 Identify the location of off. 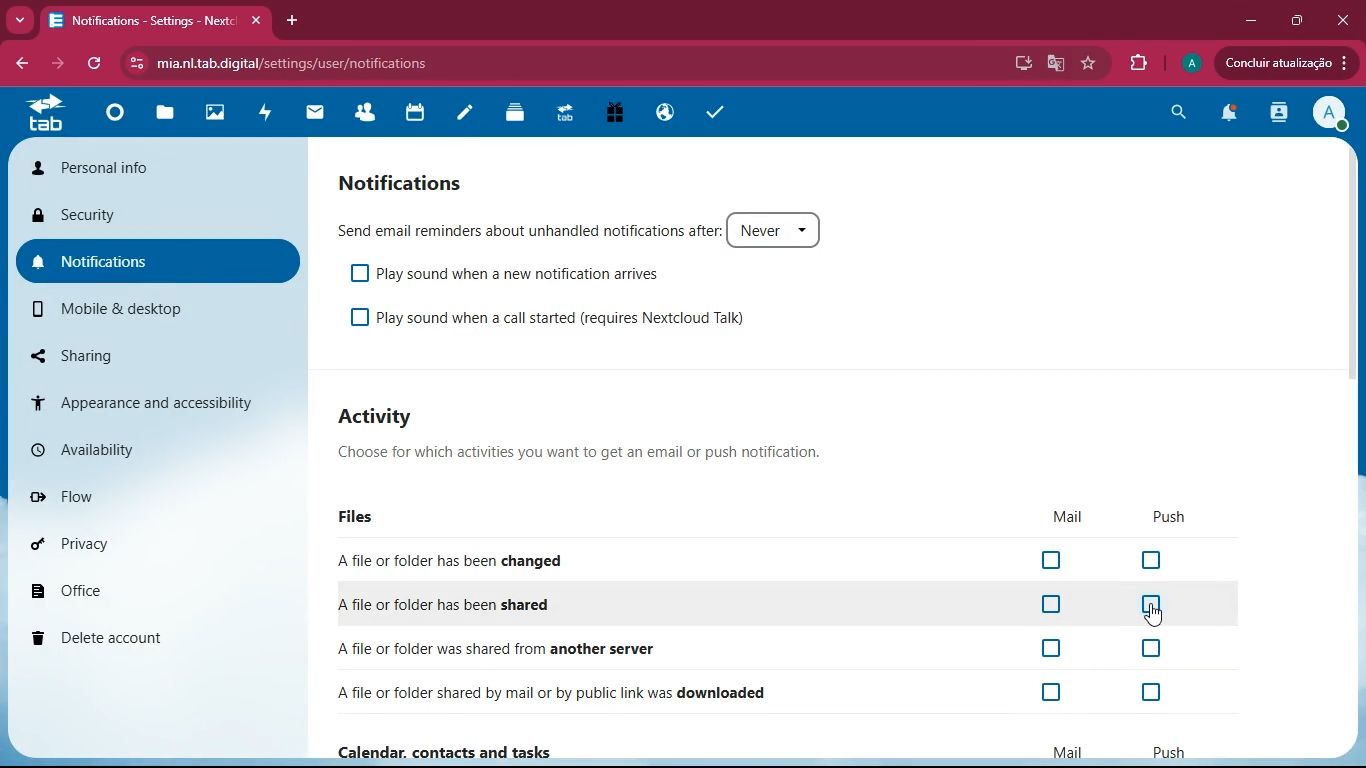
(1154, 562).